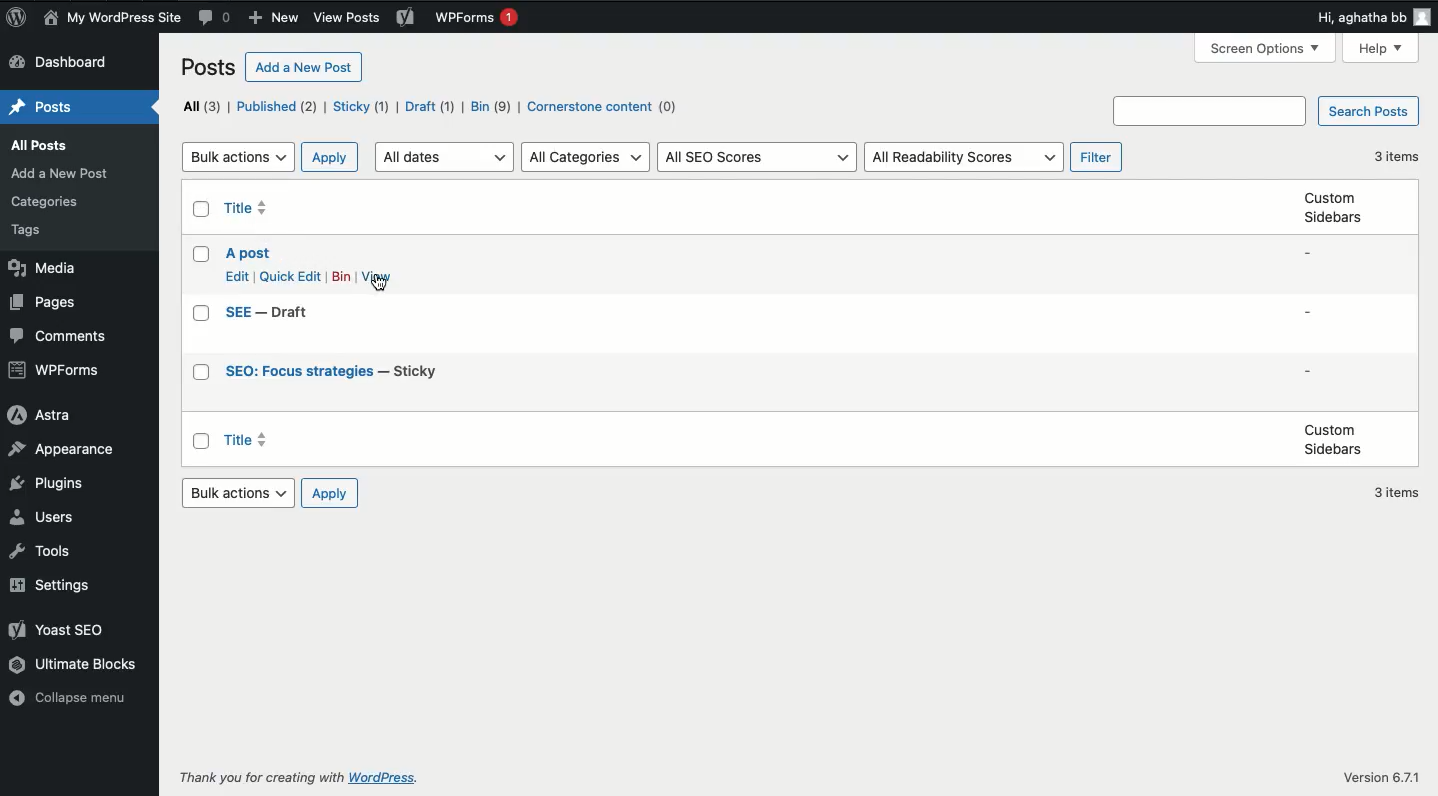 The image size is (1438, 796). I want to click on Bin, so click(490, 108).